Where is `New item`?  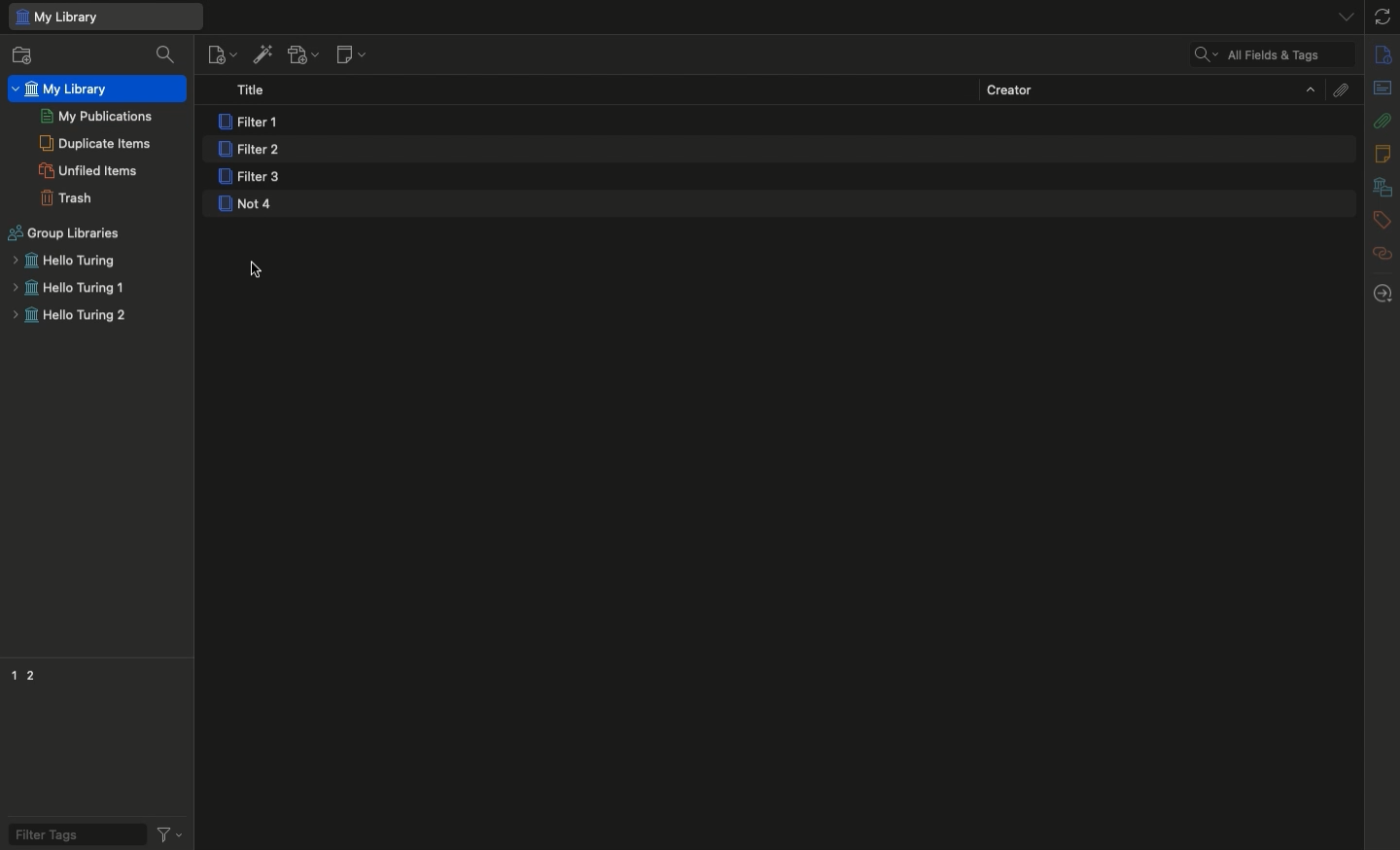
New item is located at coordinates (222, 53).